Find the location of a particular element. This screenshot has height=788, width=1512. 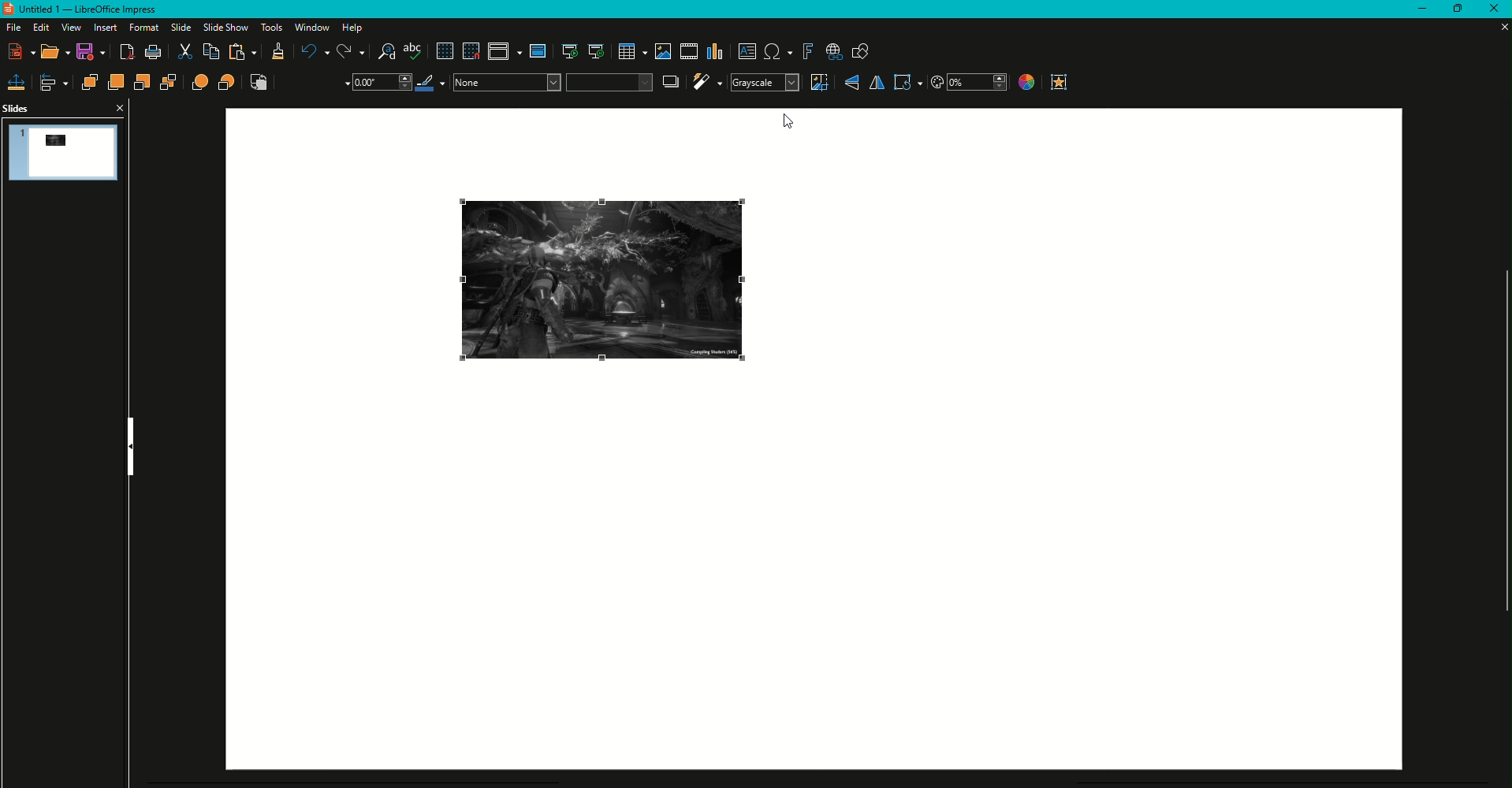

Save is located at coordinates (94, 54).